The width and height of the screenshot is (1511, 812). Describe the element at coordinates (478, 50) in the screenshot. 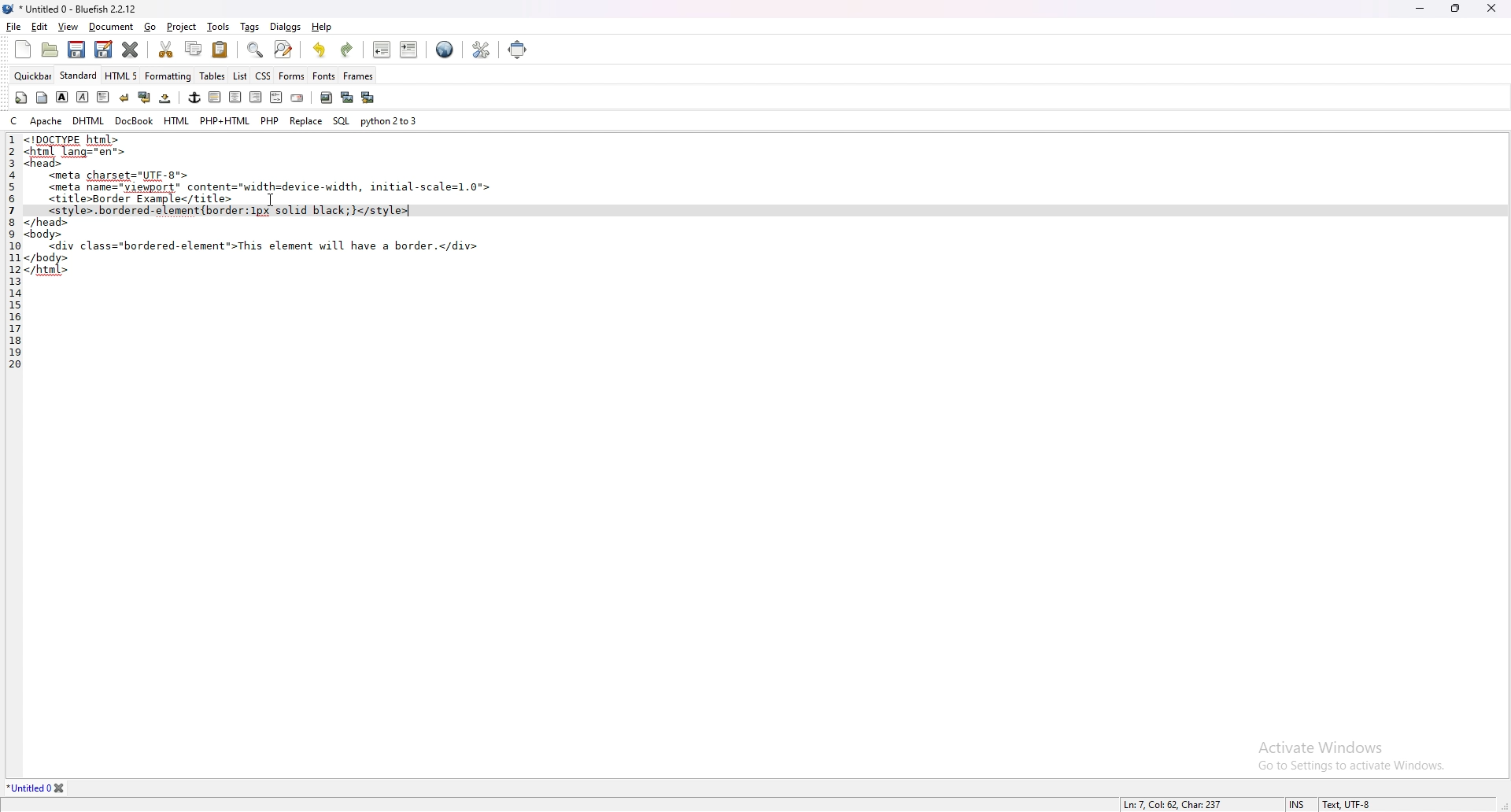

I see `edit preference` at that location.